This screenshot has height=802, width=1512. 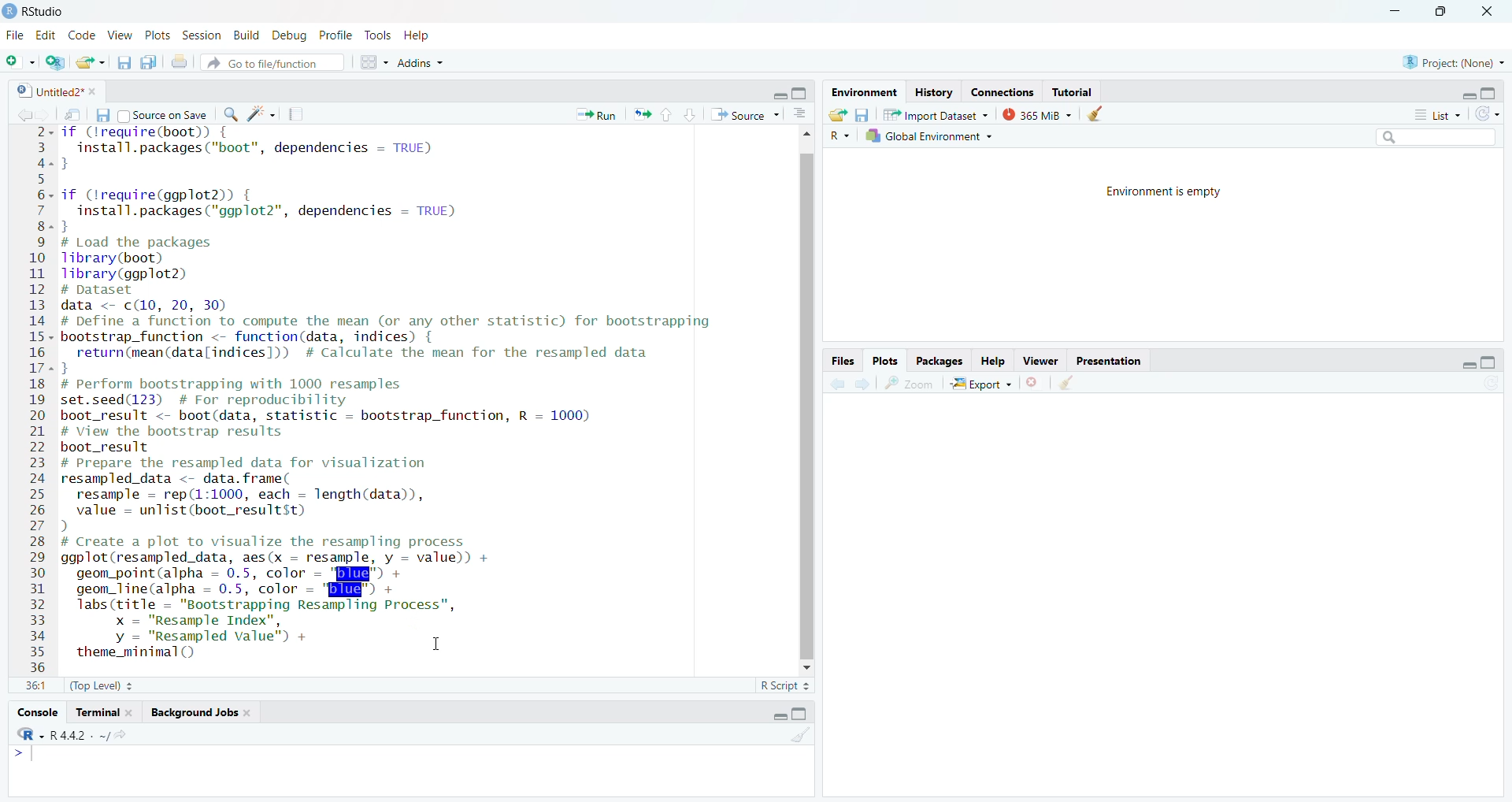 I want to click on re run the previous code, so click(x=640, y=113).